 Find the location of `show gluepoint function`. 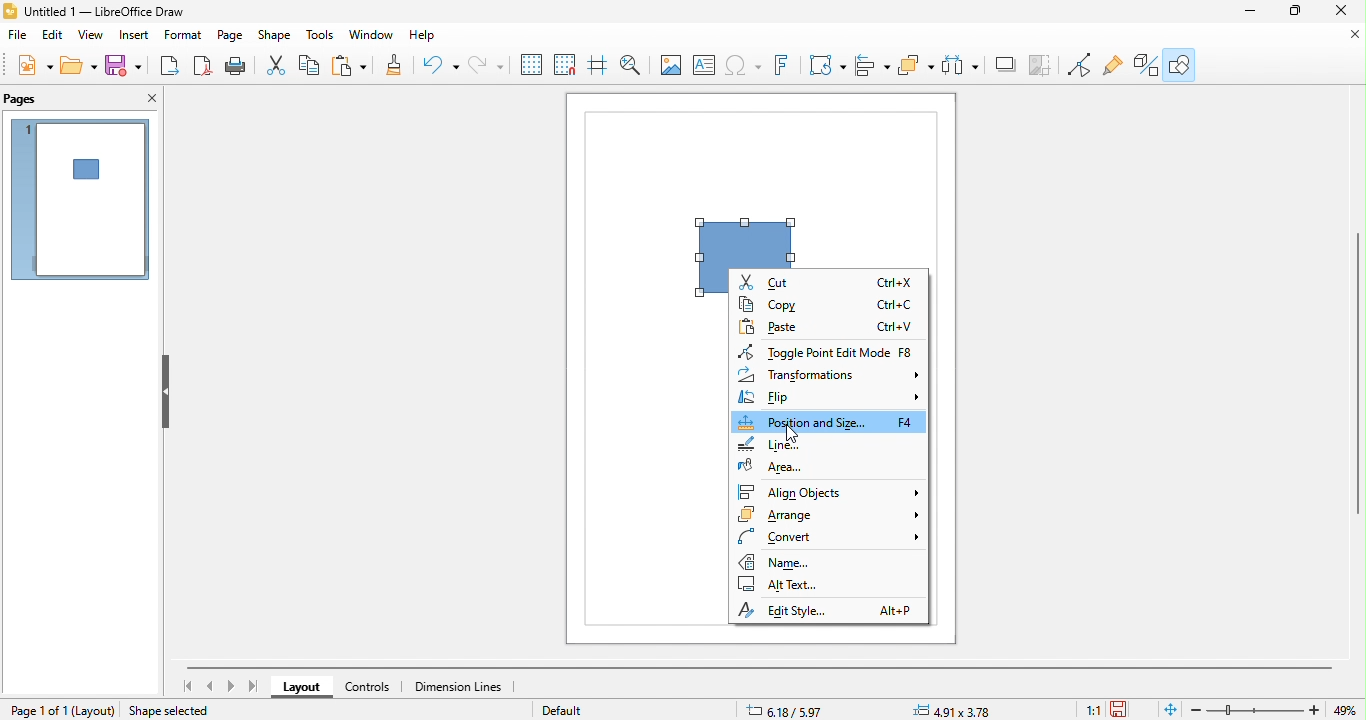

show gluepoint function is located at coordinates (1111, 66).